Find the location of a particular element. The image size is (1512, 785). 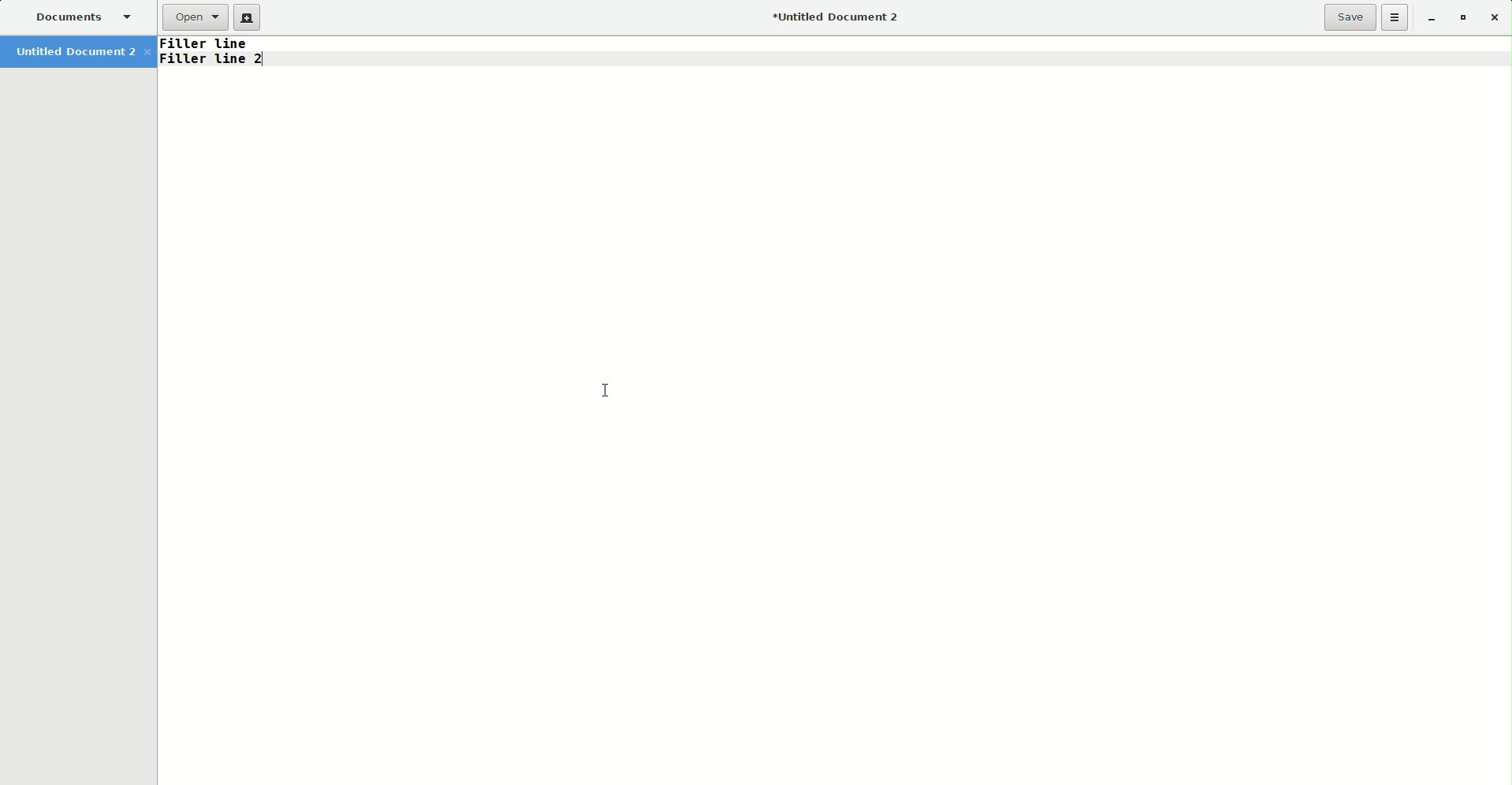

Untitled Document 2 is located at coordinates (838, 19).